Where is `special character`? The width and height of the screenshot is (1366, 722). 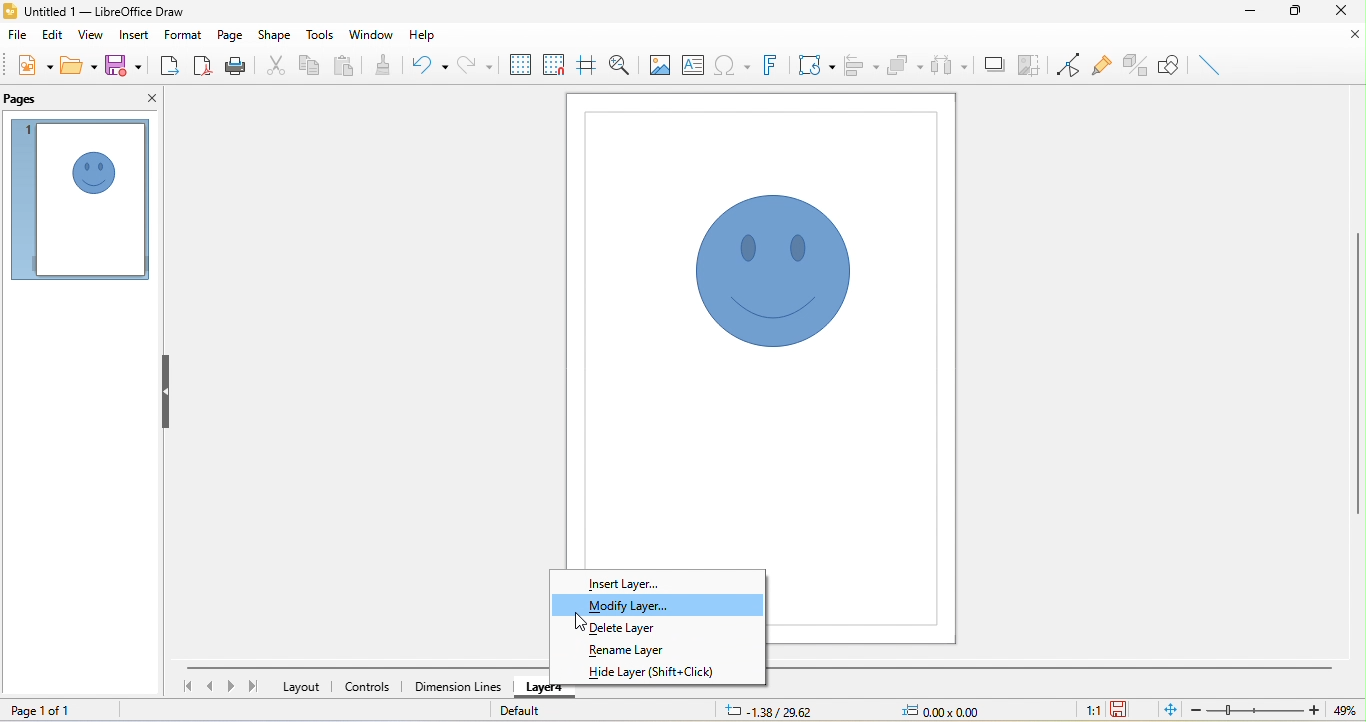 special character is located at coordinates (731, 64).